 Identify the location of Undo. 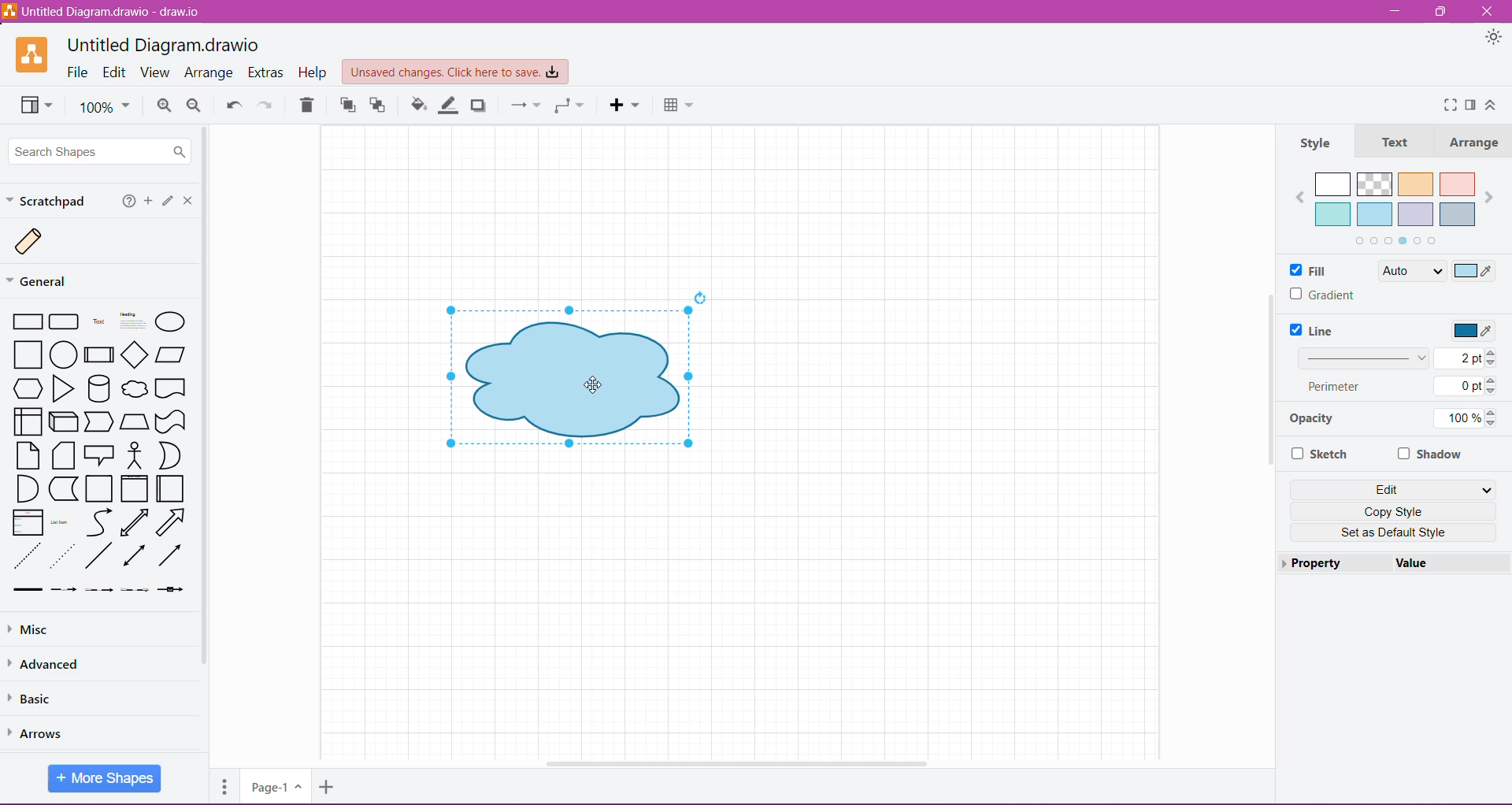
(234, 106).